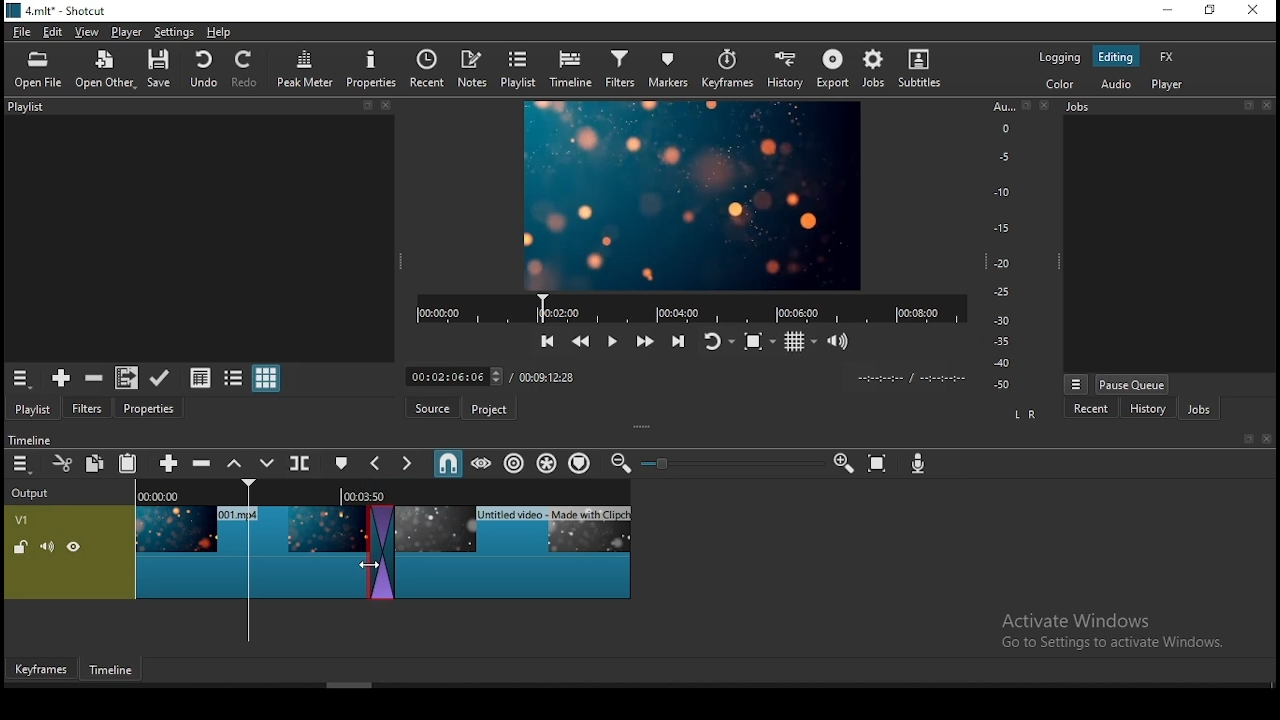 The height and width of the screenshot is (720, 1280). What do you see at coordinates (548, 464) in the screenshot?
I see `ripple all tracks` at bounding box center [548, 464].